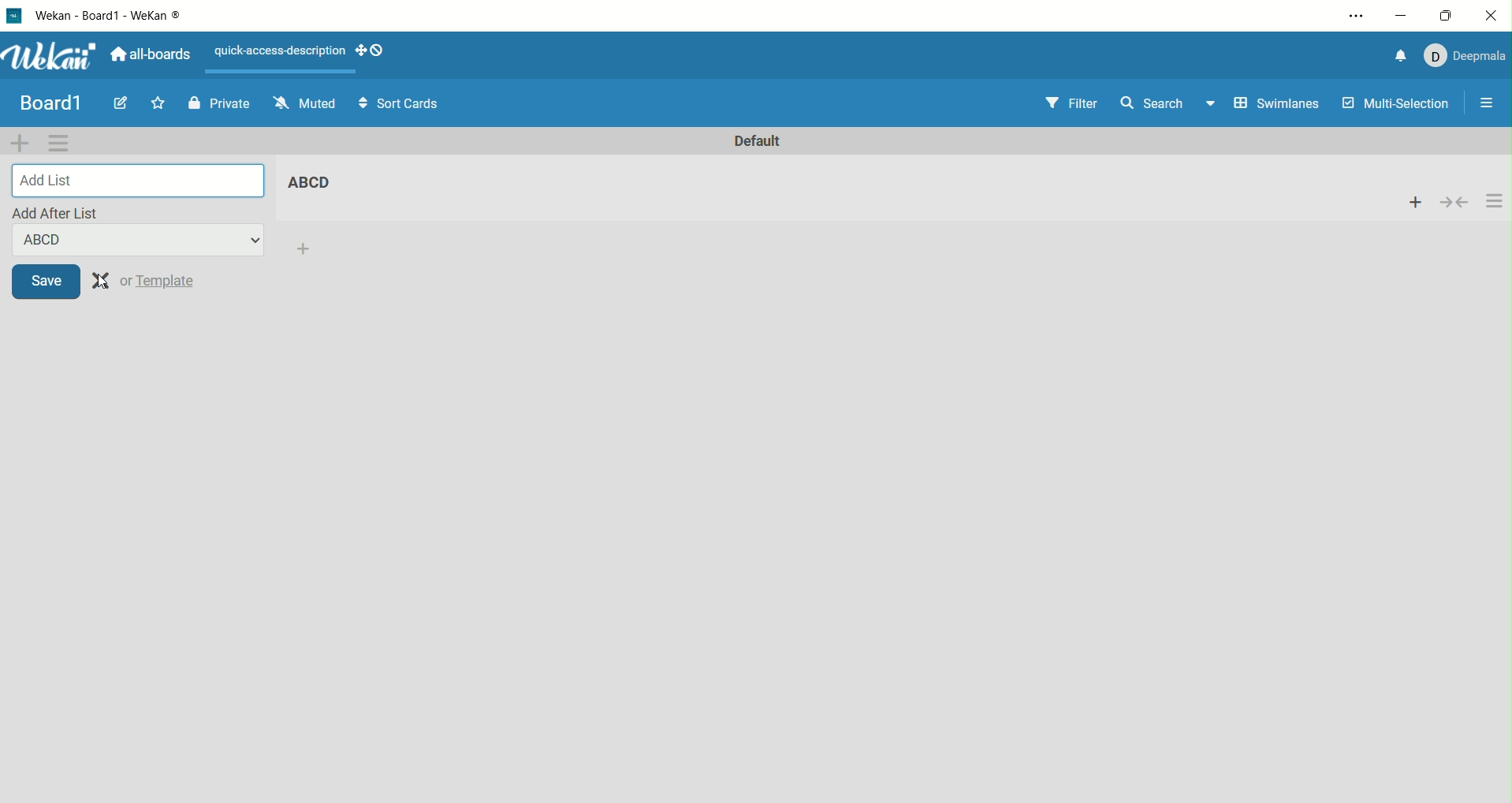 This screenshot has height=803, width=1512. I want to click on add swimlane, so click(20, 142).